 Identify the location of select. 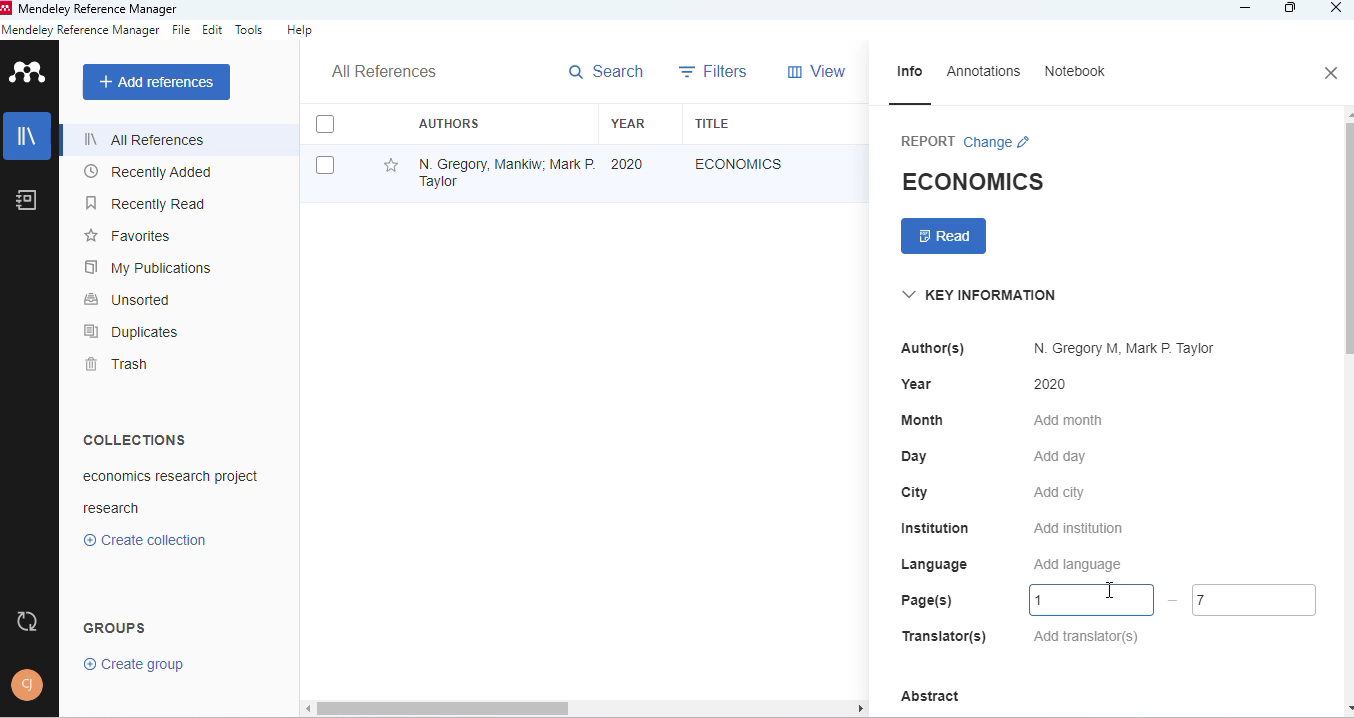
(325, 123).